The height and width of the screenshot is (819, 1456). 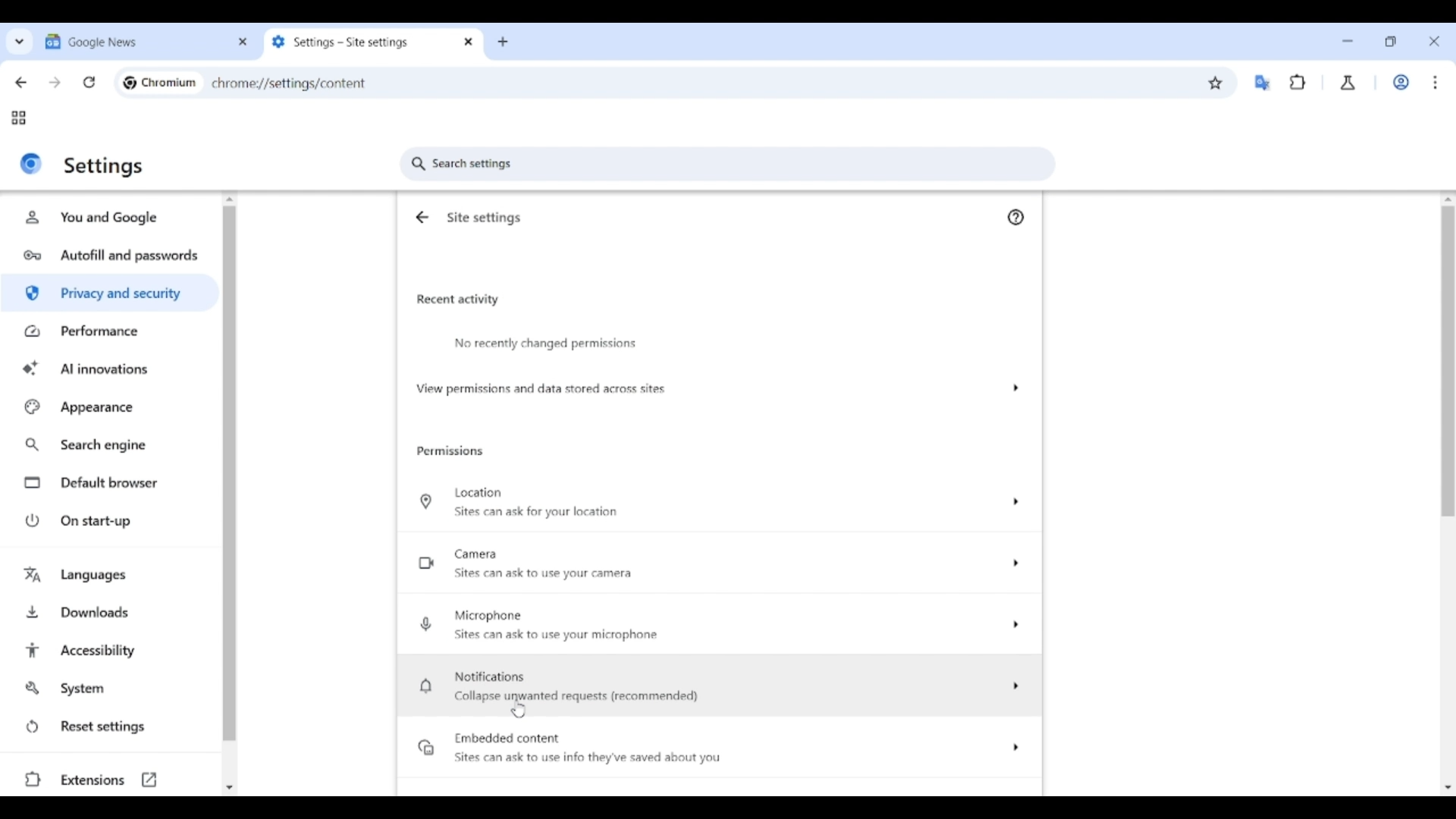 What do you see at coordinates (716, 389) in the screenshot?
I see `View permission and data stored across site options` at bounding box center [716, 389].